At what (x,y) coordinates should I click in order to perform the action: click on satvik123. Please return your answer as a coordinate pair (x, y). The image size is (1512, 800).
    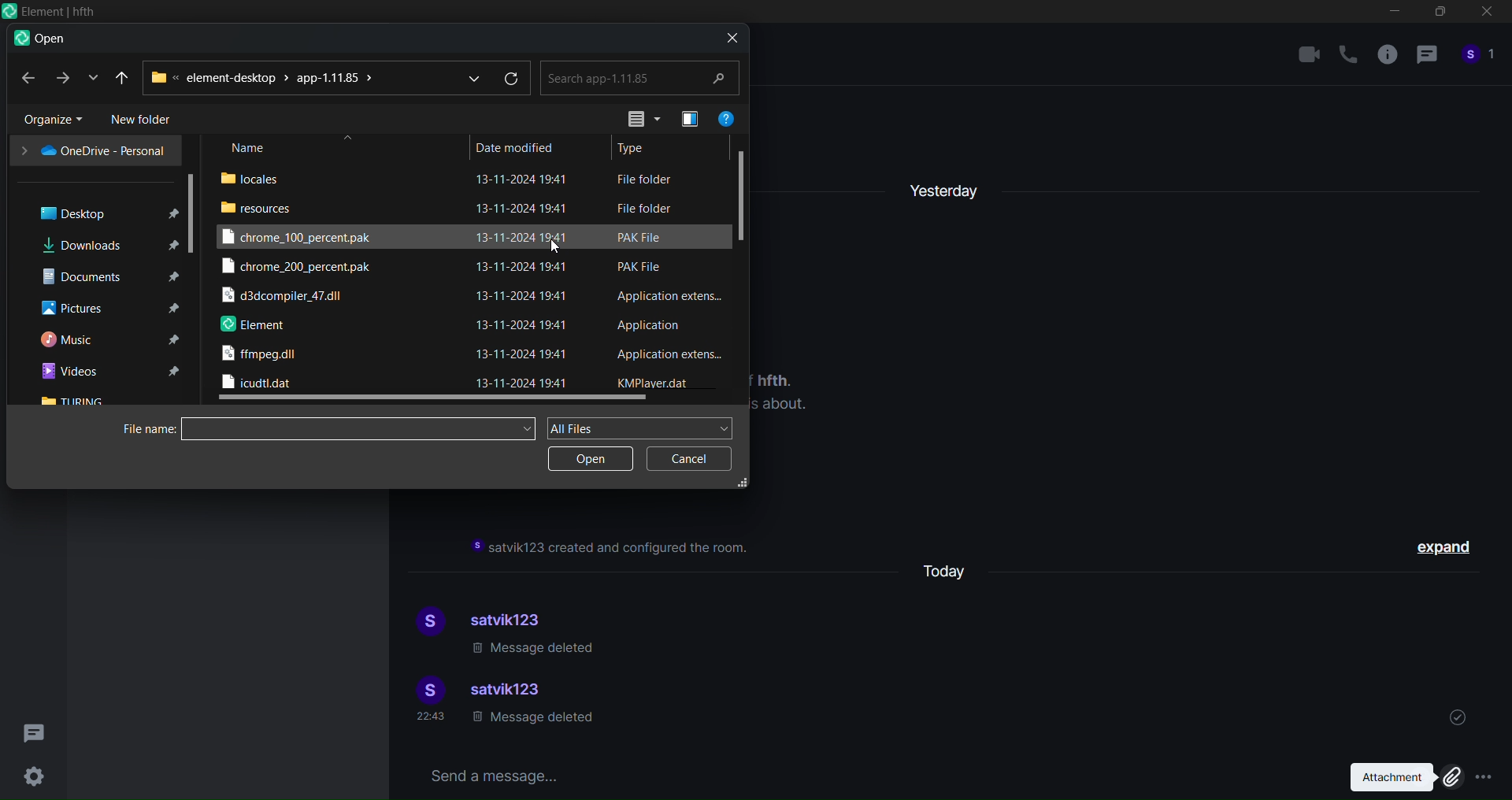
    Looking at the image, I should click on (510, 691).